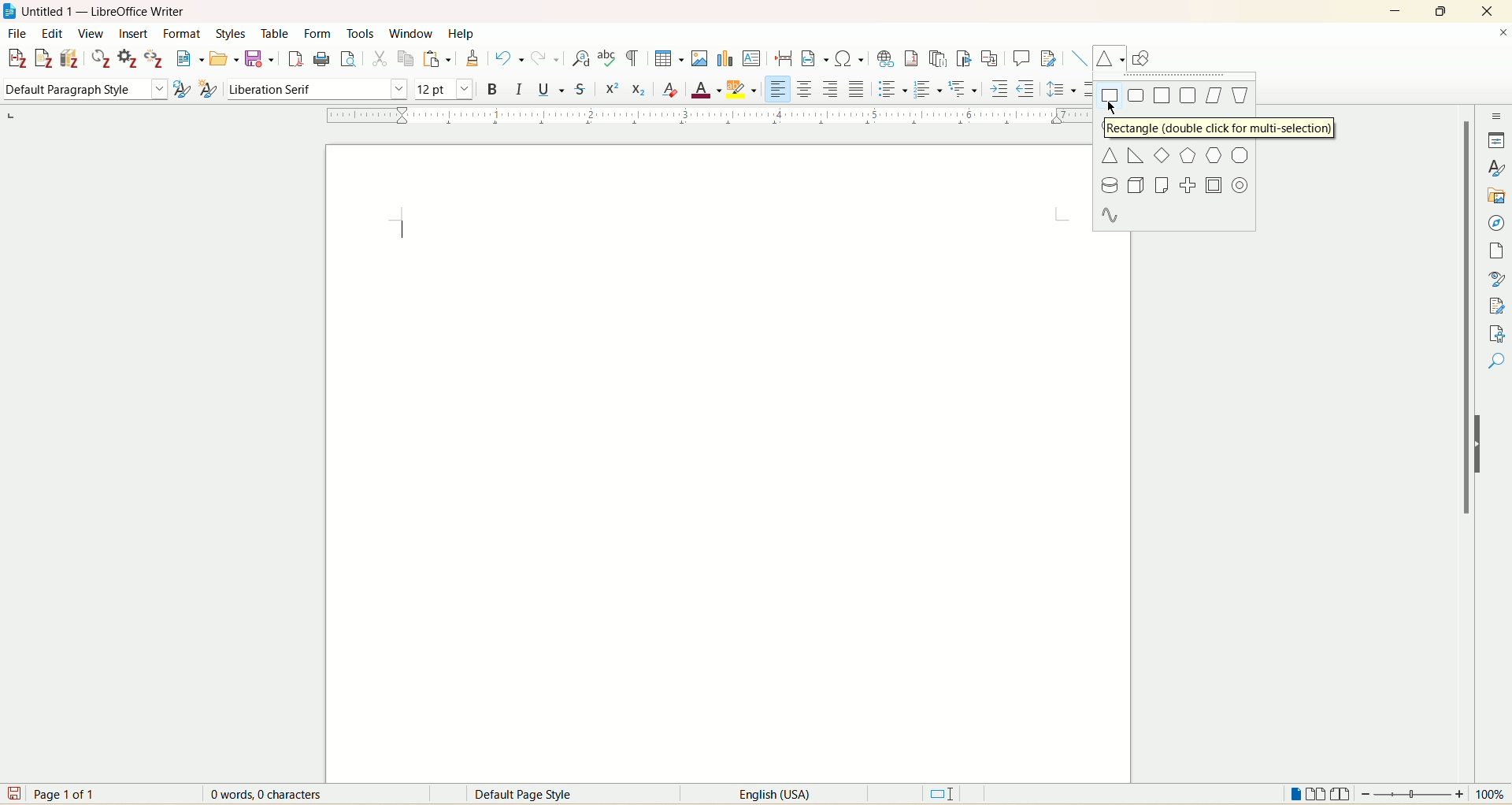  What do you see at coordinates (379, 61) in the screenshot?
I see `cut` at bounding box center [379, 61].